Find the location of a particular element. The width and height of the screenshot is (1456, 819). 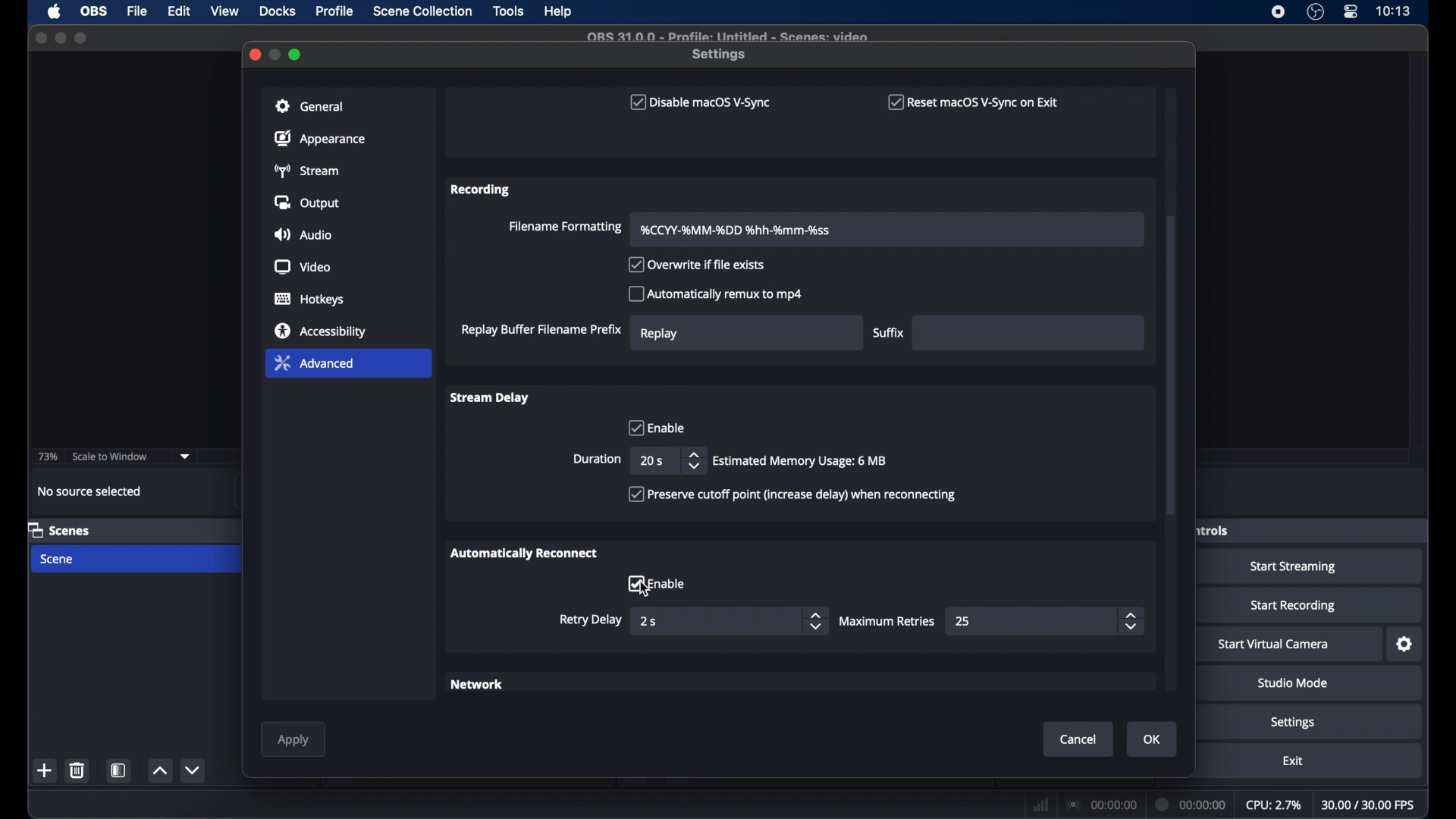

disable macOS V-sync is located at coordinates (698, 102).